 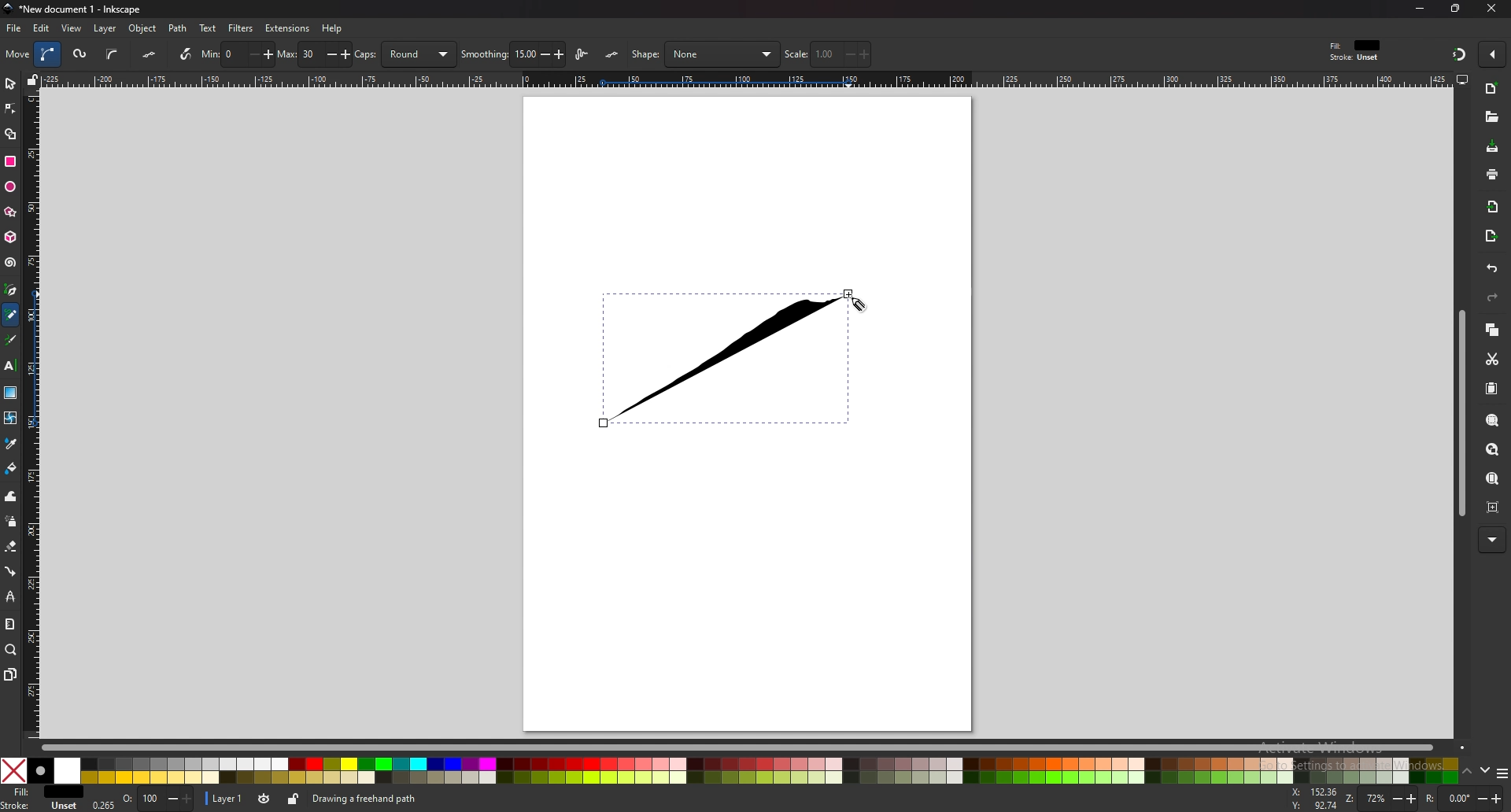 I want to click on b spline path, so click(x=112, y=54).